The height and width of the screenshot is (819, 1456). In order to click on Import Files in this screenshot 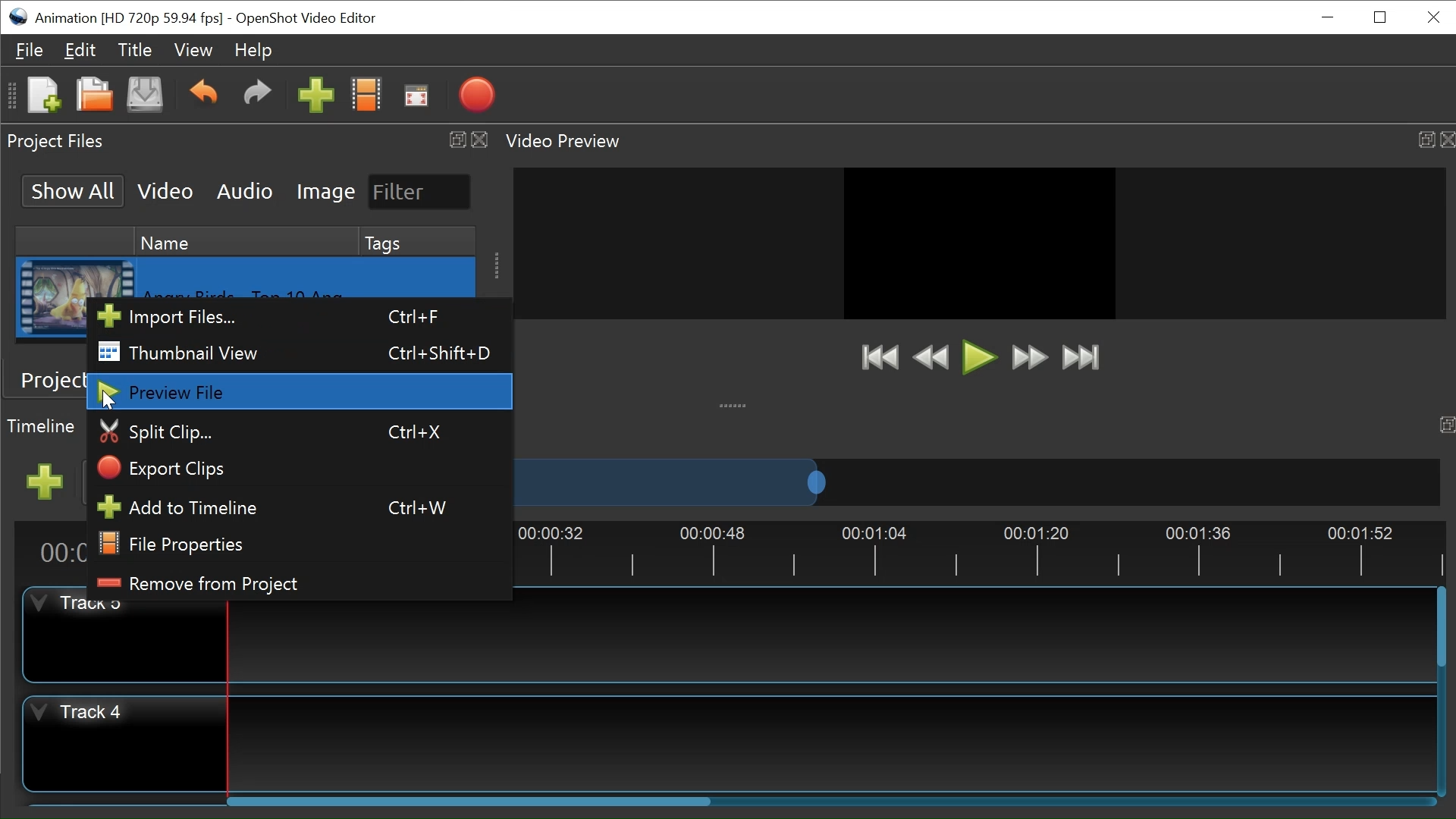, I will do `click(297, 318)`.